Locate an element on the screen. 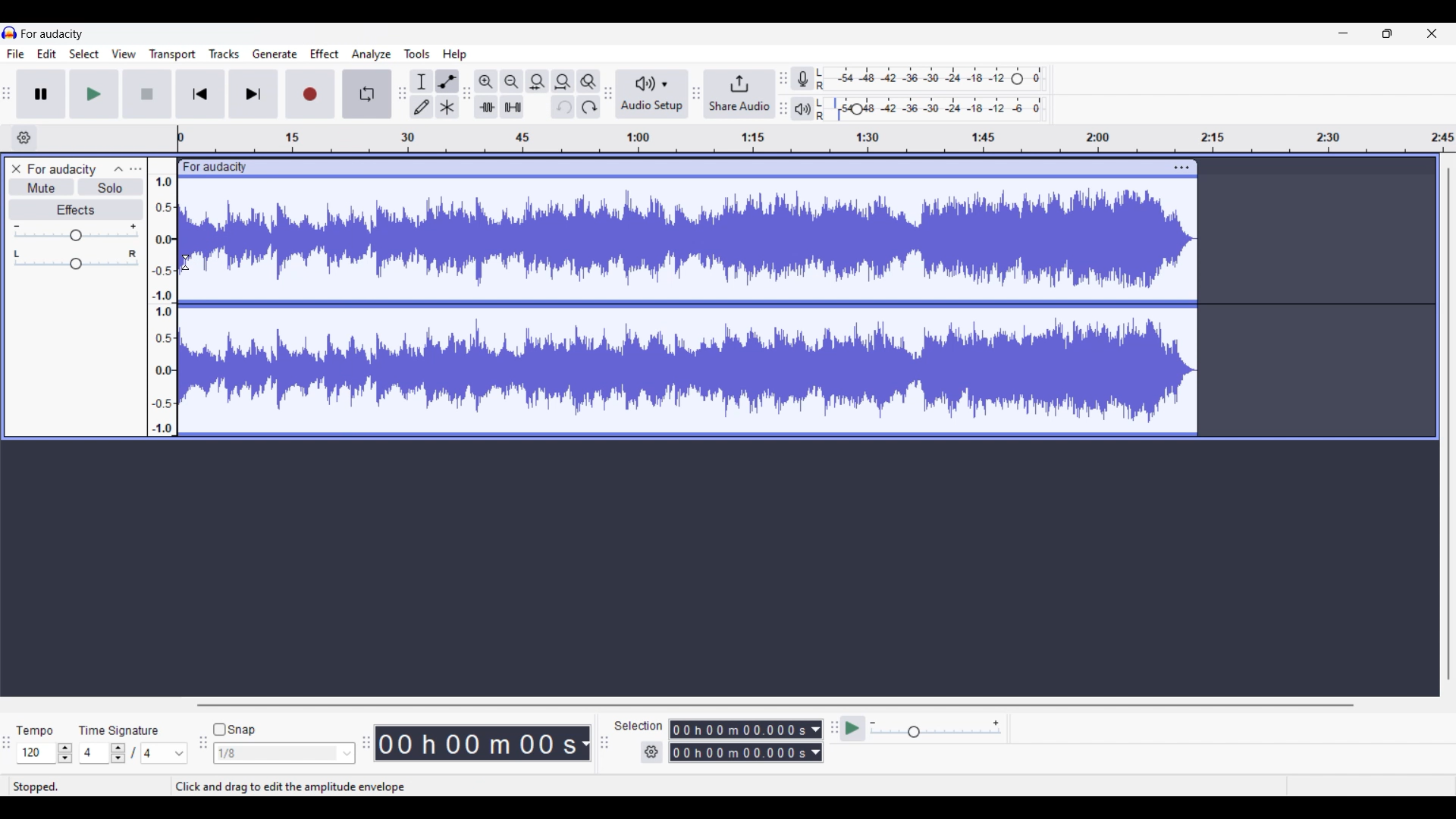  Vertical slide bar is located at coordinates (1449, 425).